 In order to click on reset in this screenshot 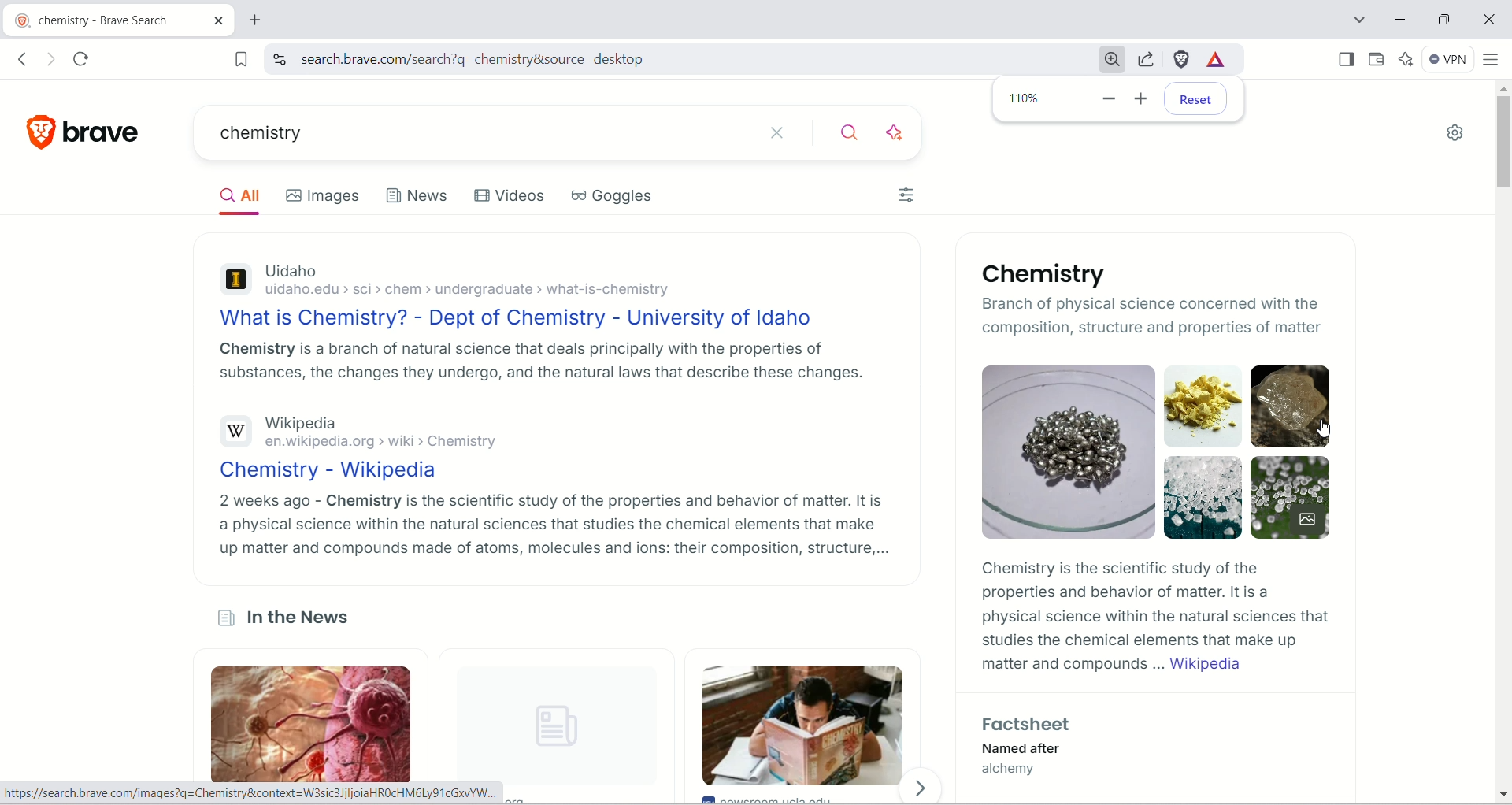, I will do `click(1197, 99)`.